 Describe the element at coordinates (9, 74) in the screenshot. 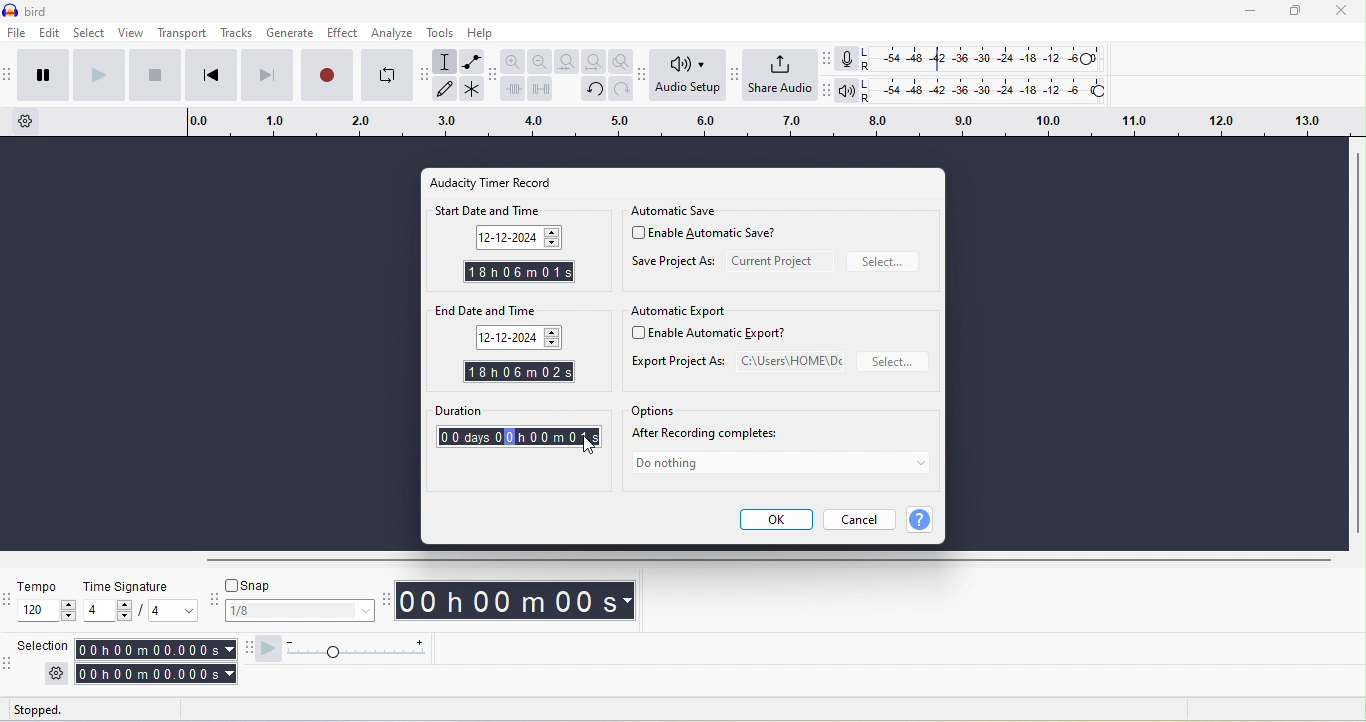

I see `audacity transport toolbar` at that location.